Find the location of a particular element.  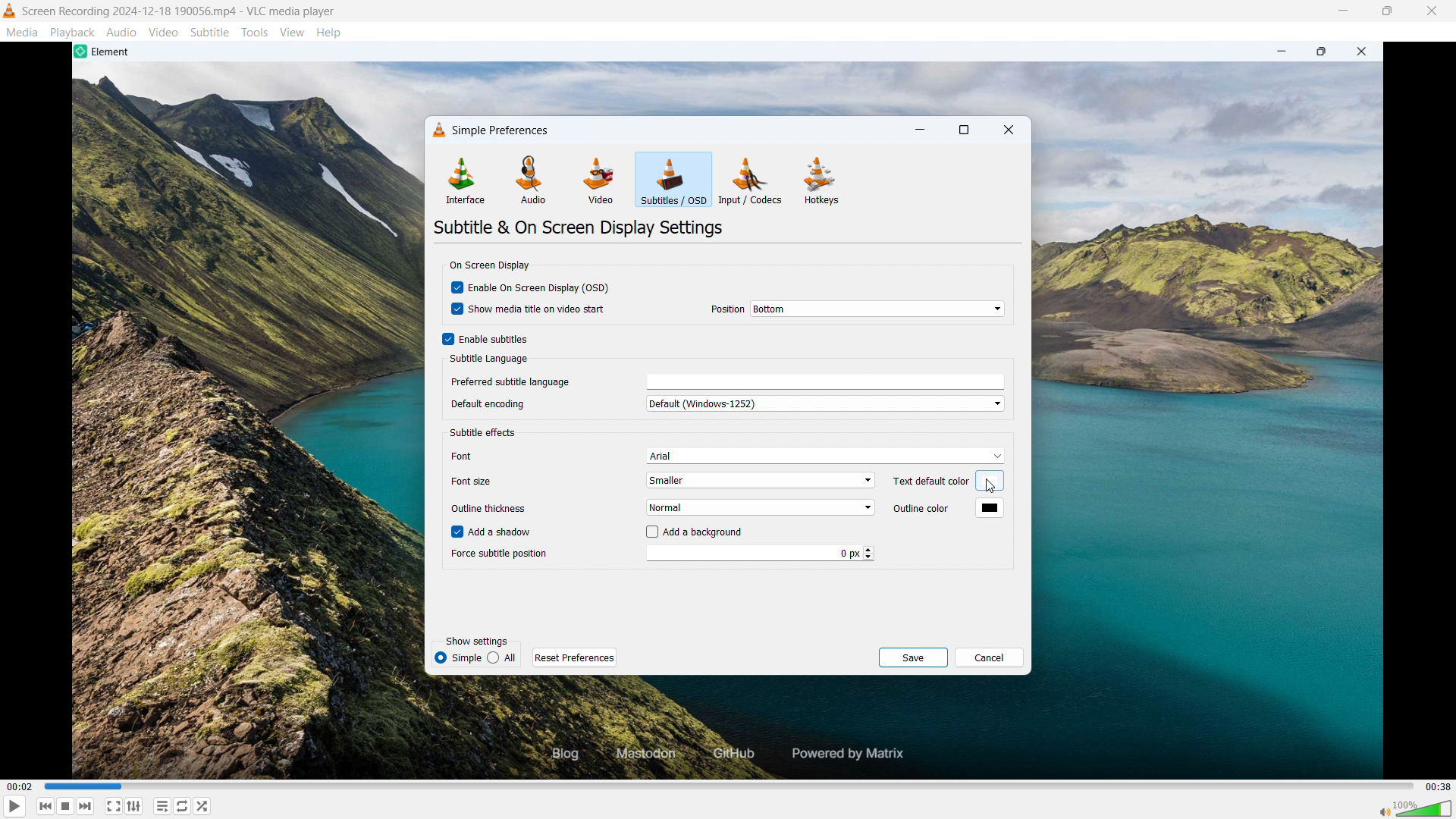

cursor is located at coordinates (990, 485).